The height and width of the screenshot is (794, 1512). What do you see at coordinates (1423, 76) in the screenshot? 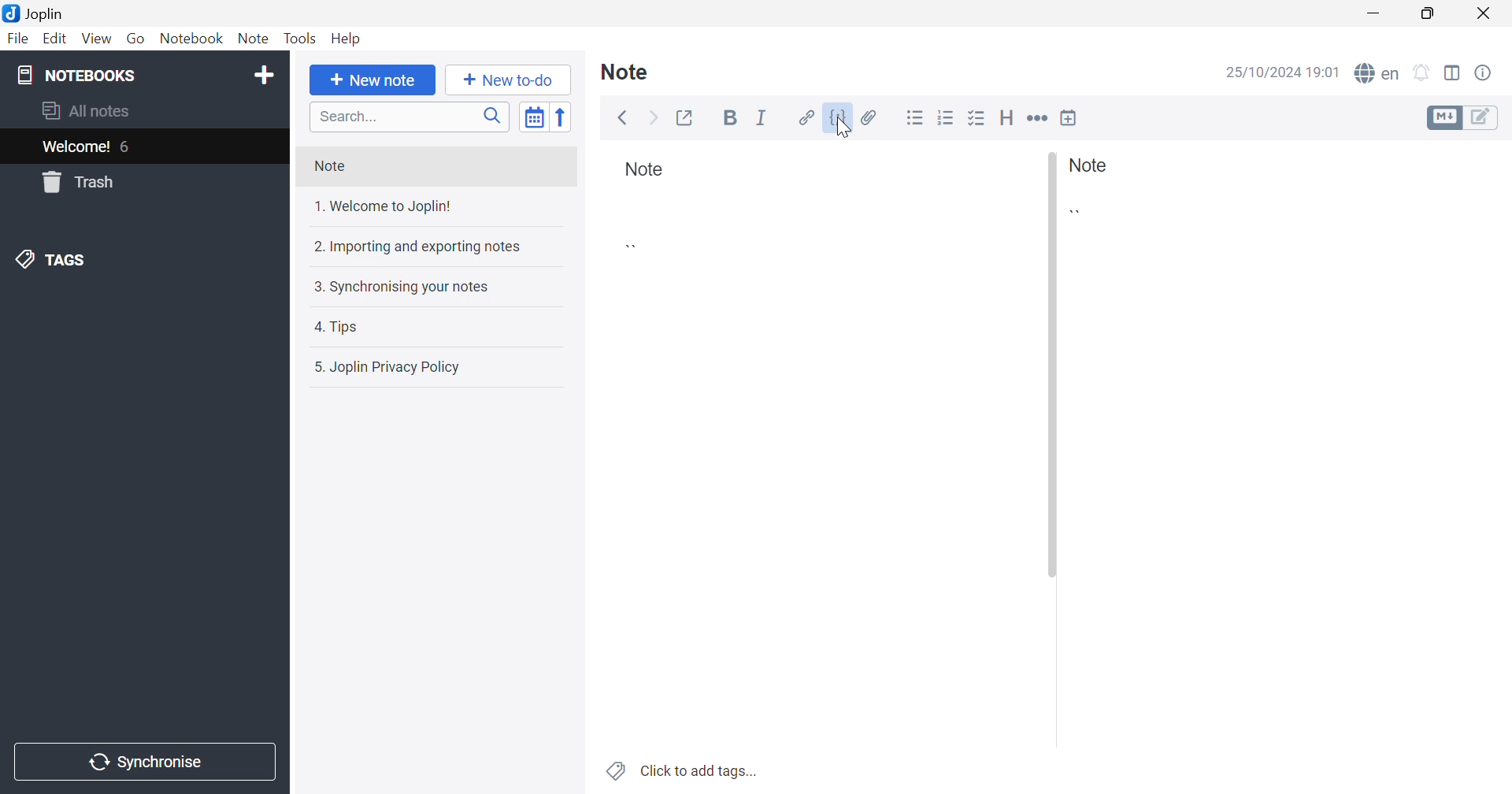
I see `Set alarm` at bounding box center [1423, 76].